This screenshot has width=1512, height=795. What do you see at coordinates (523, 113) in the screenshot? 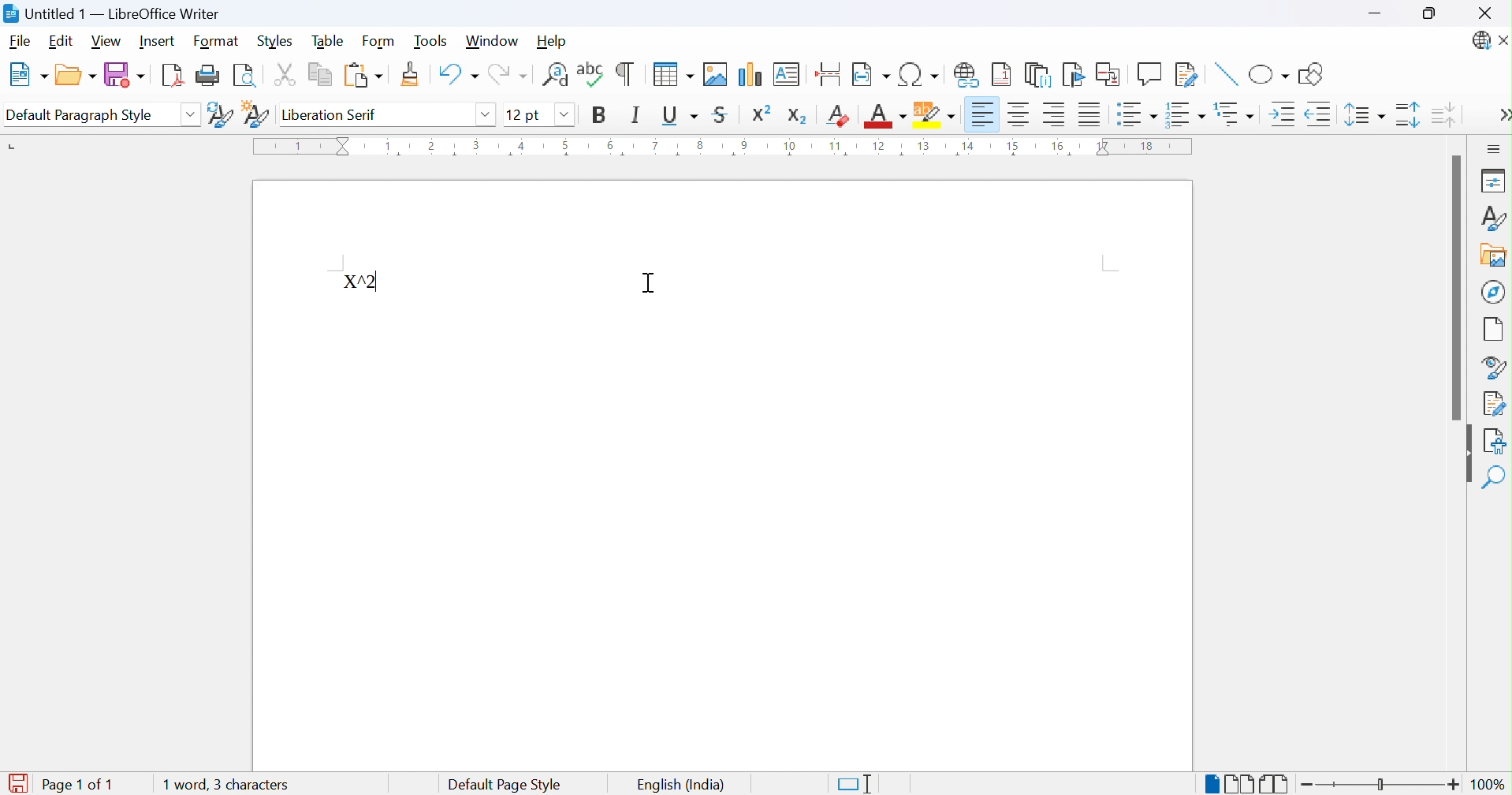
I see `12 pt` at bounding box center [523, 113].